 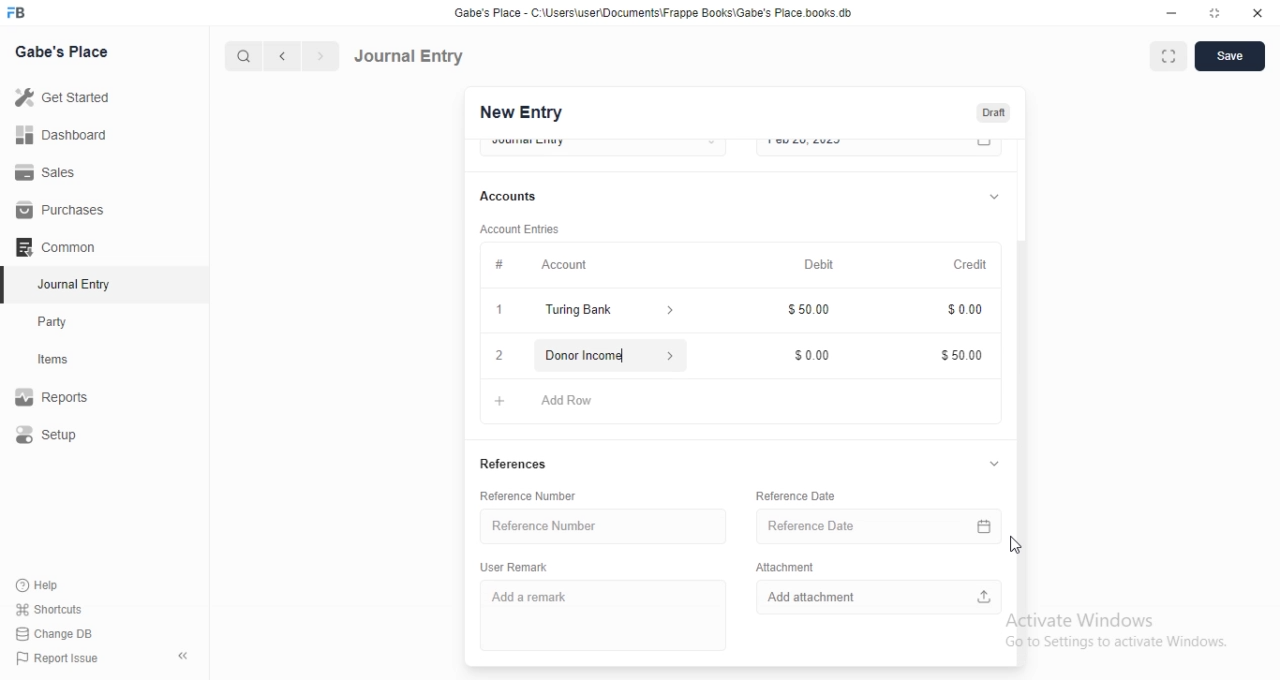 What do you see at coordinates (820, 265) in the screenshot?
I see `Debit` at bounding box center [820, 265].